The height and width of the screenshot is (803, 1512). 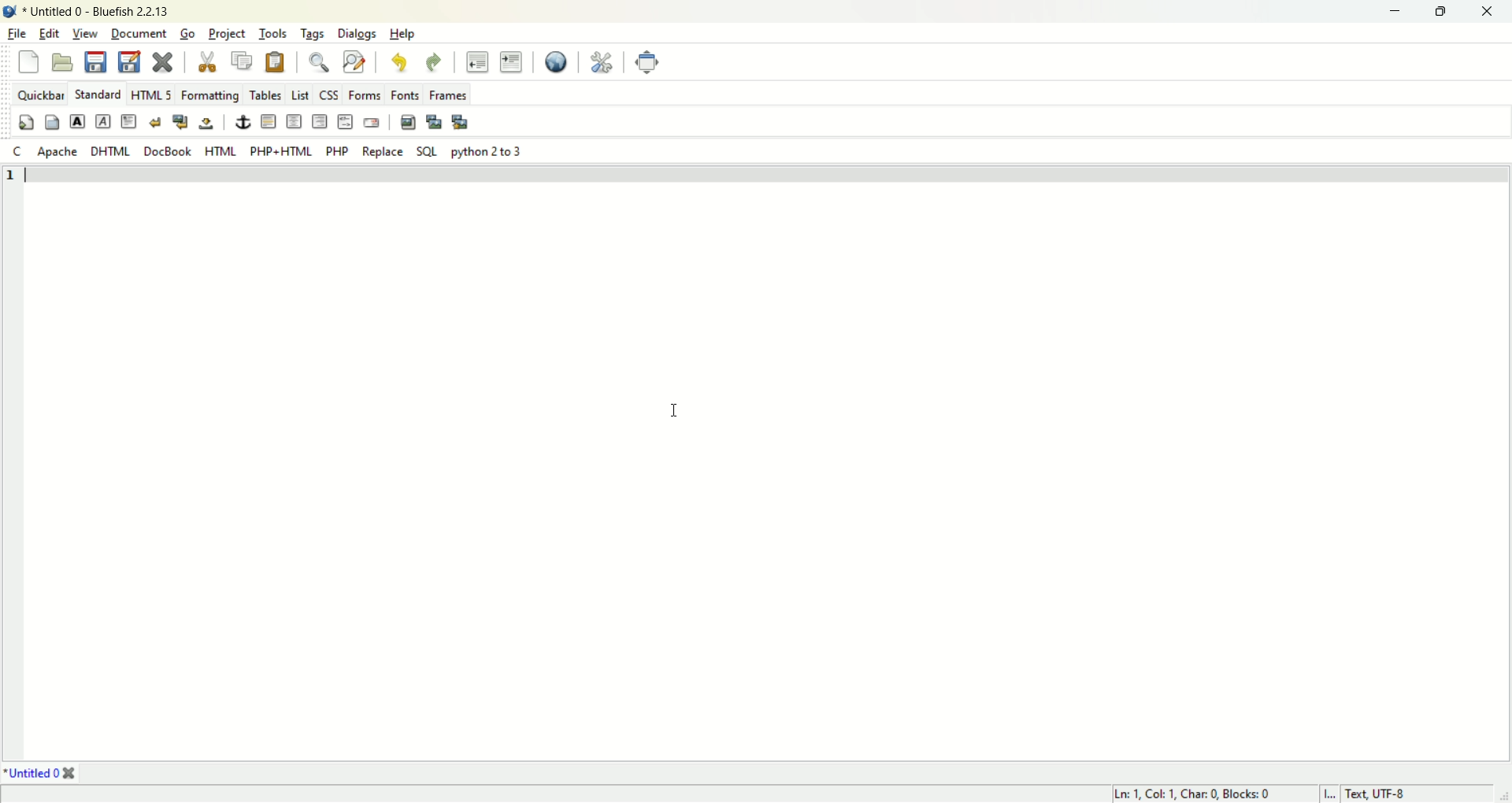 I want to click on break, so click(x=154, y=123).